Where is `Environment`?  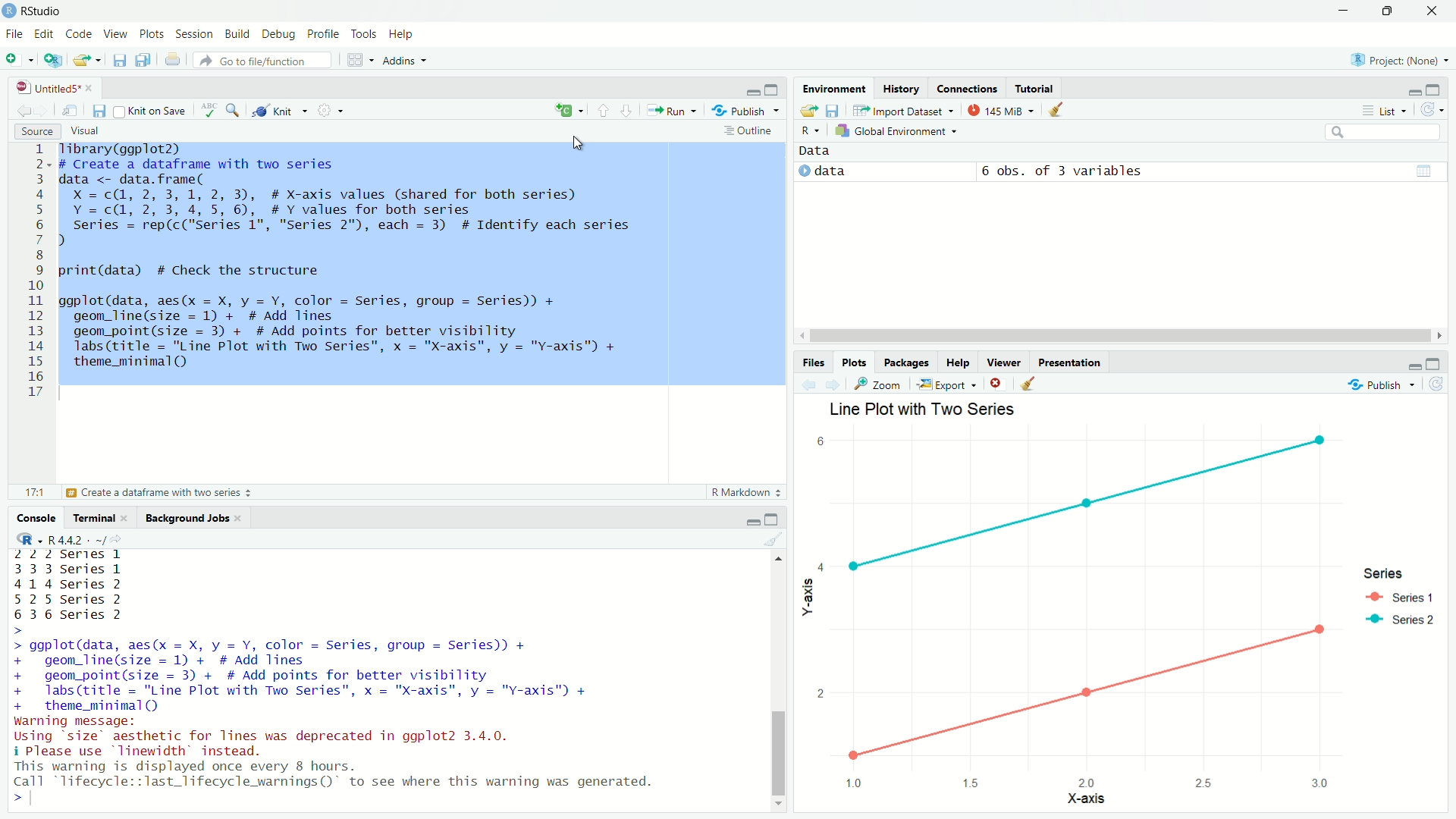
Environment is located at coordinates (833, 86).